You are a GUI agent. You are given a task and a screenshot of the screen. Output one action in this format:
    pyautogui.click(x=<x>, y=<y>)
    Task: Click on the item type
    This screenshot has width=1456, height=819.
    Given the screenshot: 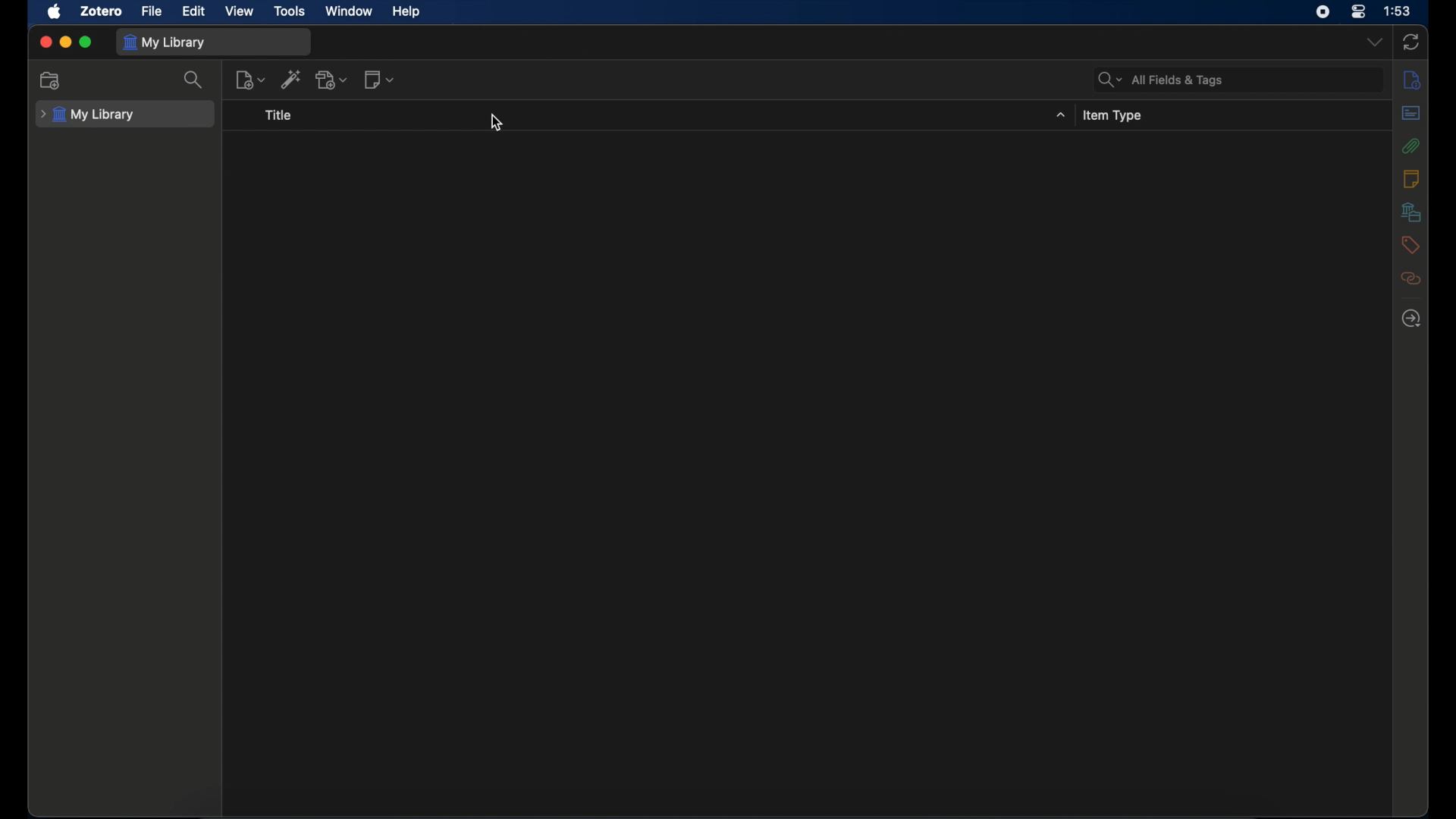 What is the action you would take?
    pyautogui.click(x=1113, y=116)
    